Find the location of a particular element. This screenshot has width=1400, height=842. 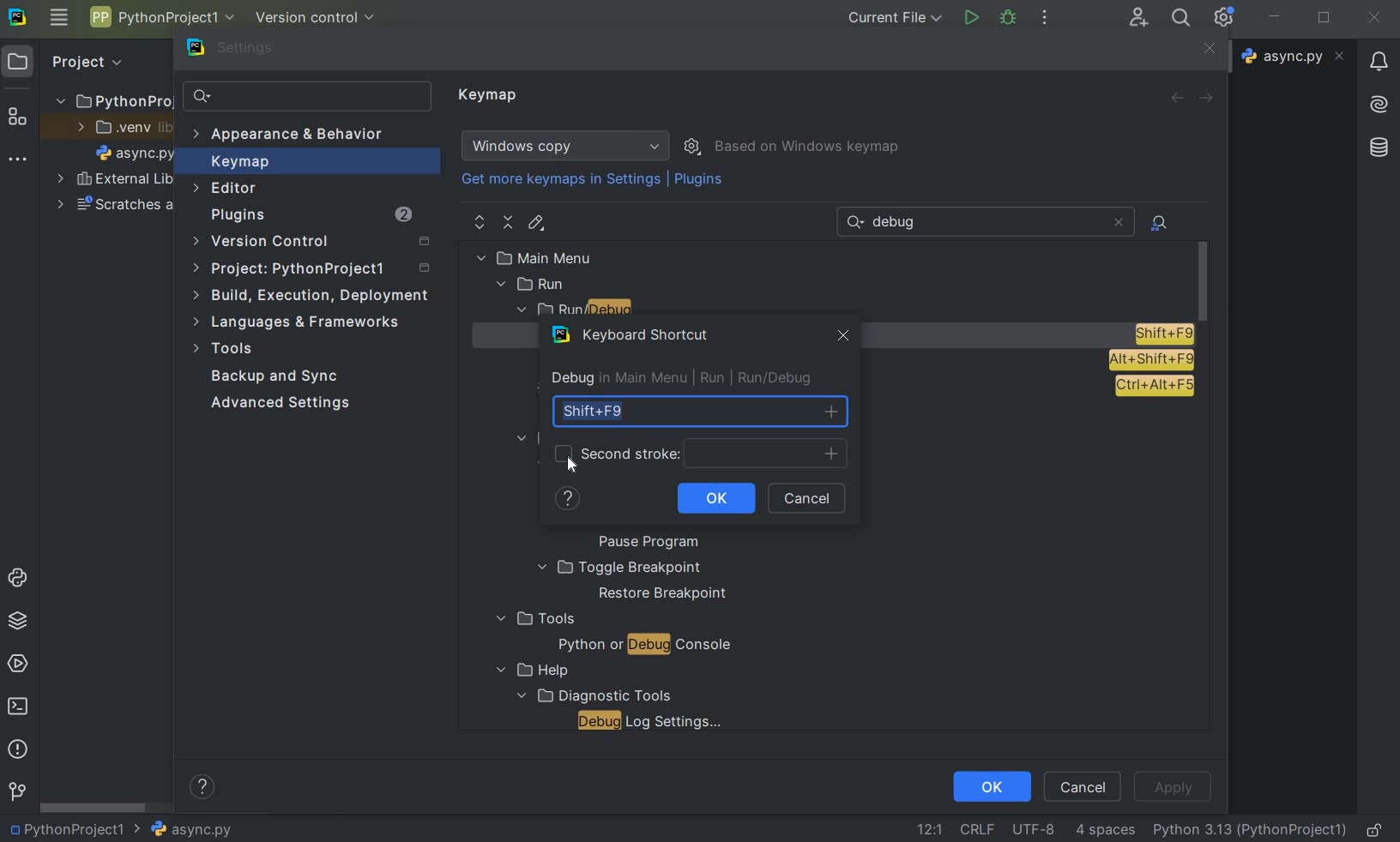

make file readable only is located at coordinates (1376, 828).